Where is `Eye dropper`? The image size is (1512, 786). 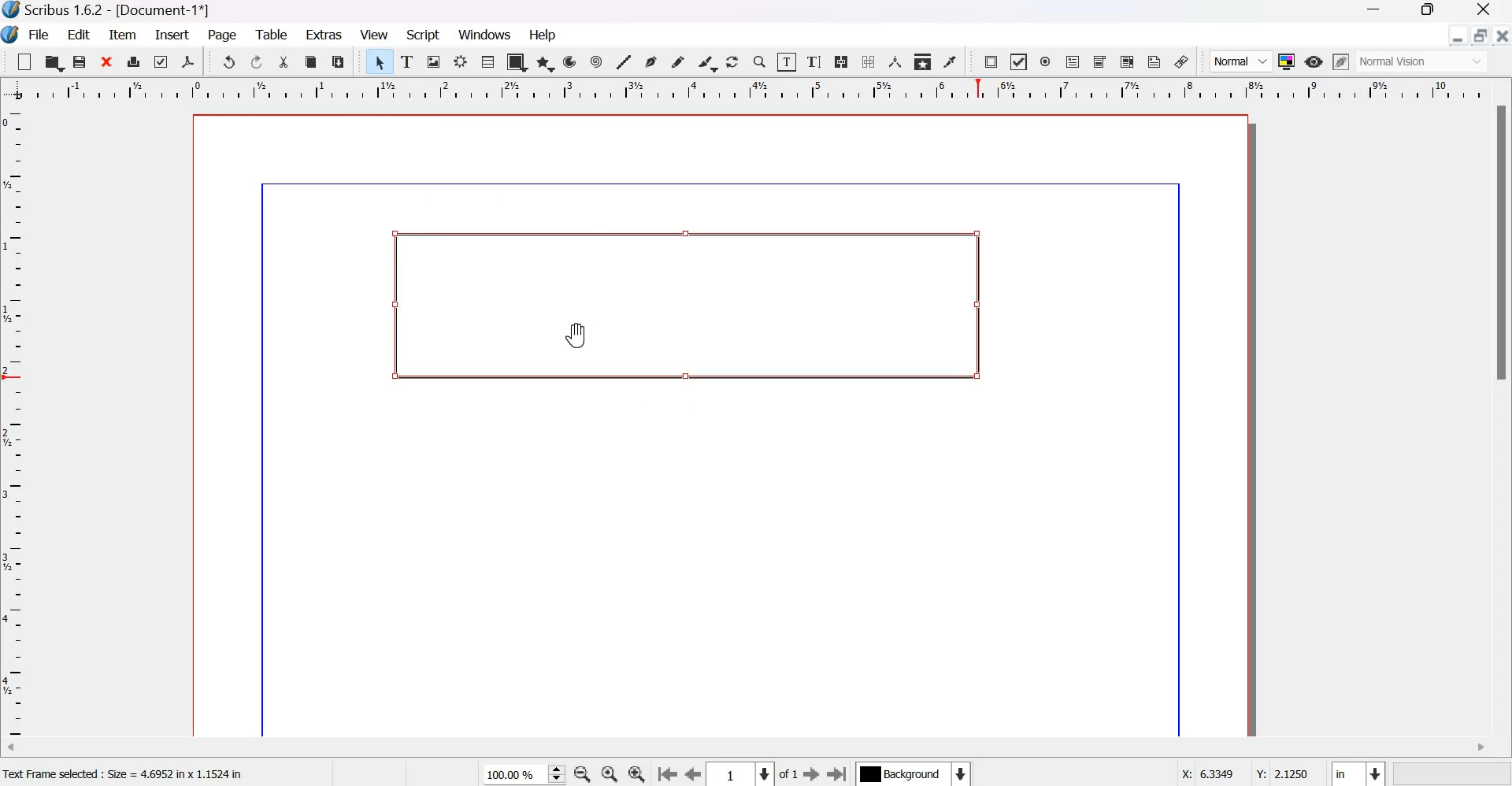 Eye dropper is located at coordinates (950, 61).